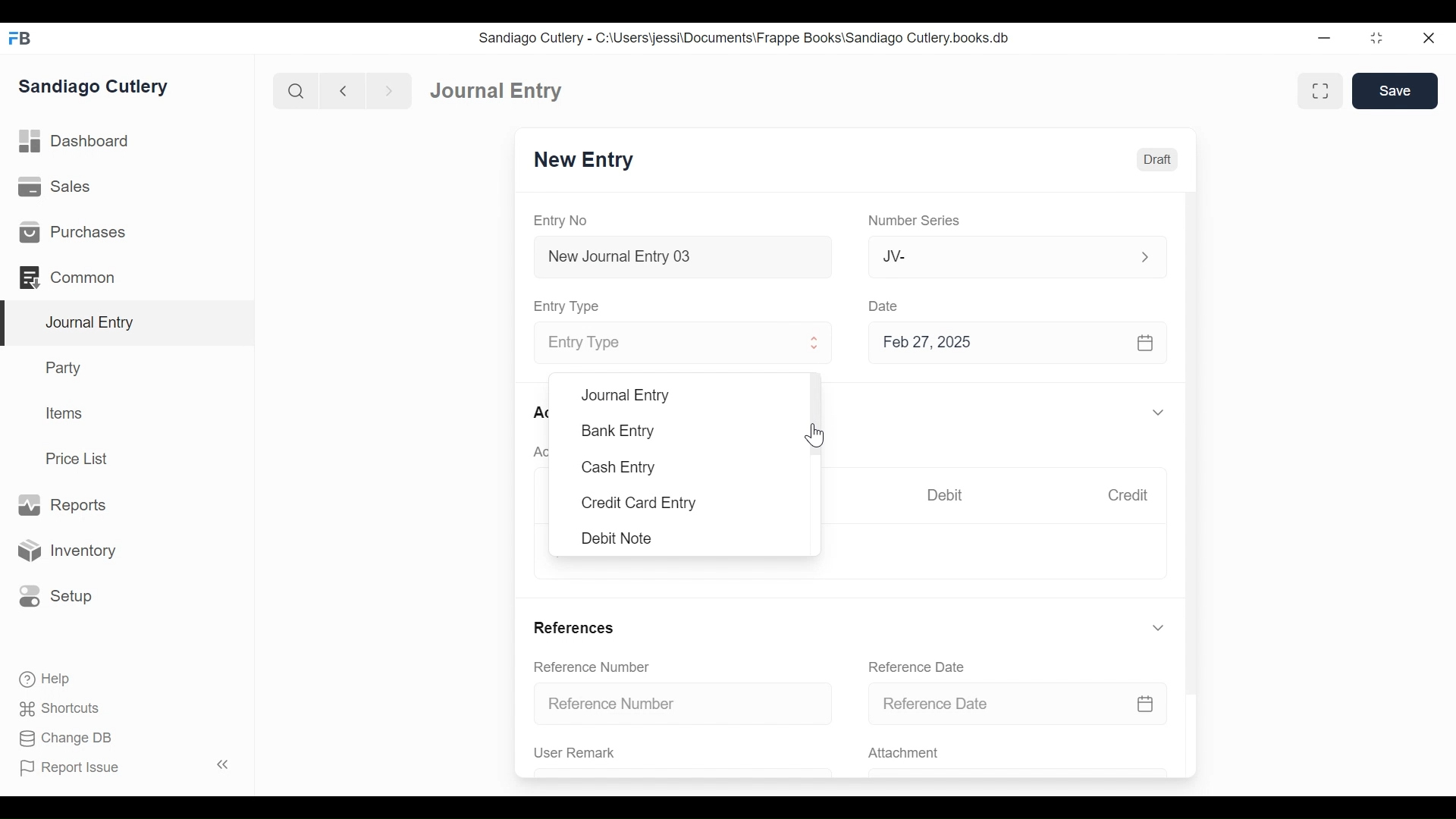  Describe the element at coordinates (20, 39) in the screenshot. I see `Frappe Books Desktop Icon` at that location.